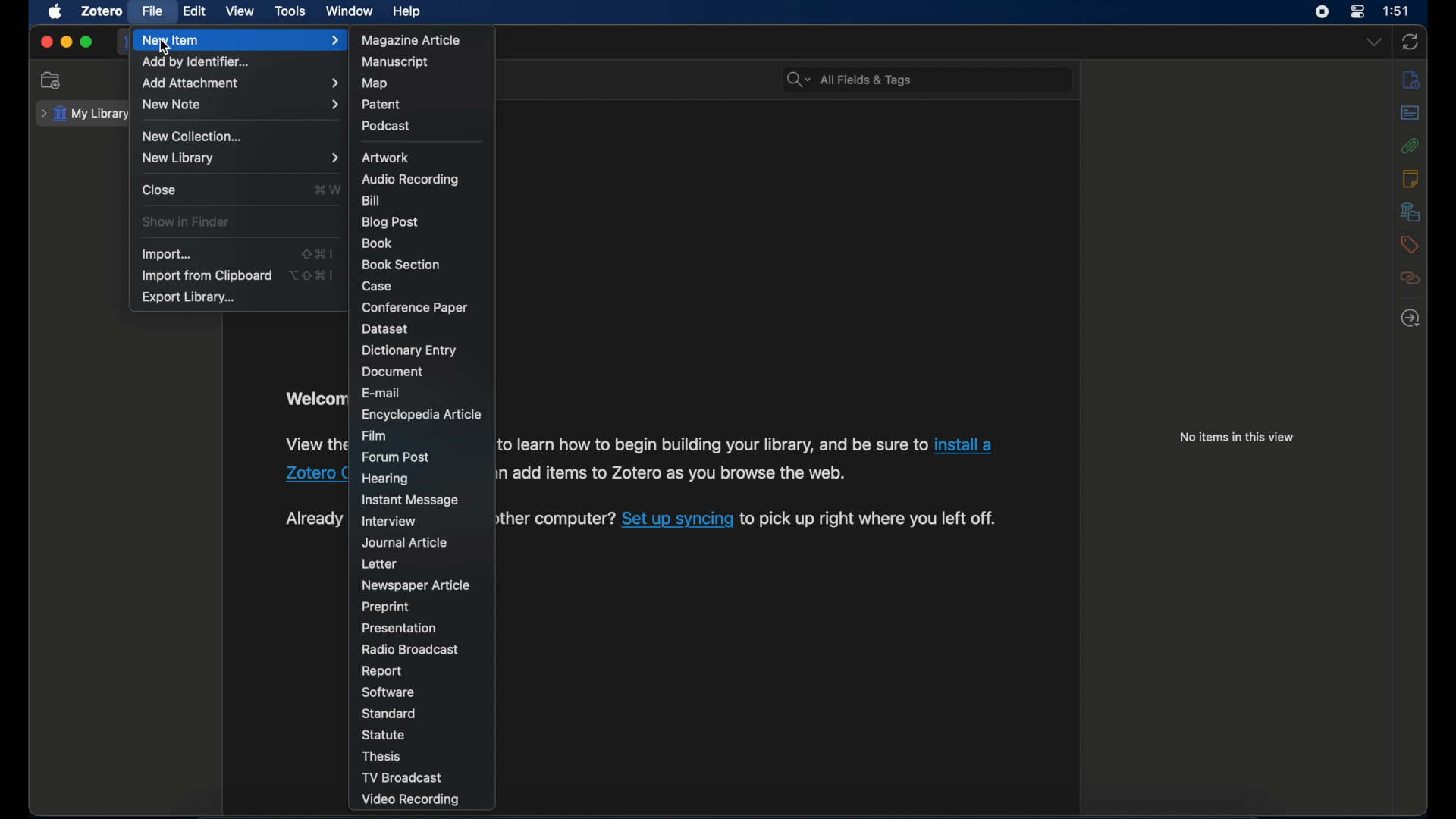 The height and width of the screenshot is (819, 1456). Describe the element at coordinates (408, 12) in the screenshot. I see `help` at that location.